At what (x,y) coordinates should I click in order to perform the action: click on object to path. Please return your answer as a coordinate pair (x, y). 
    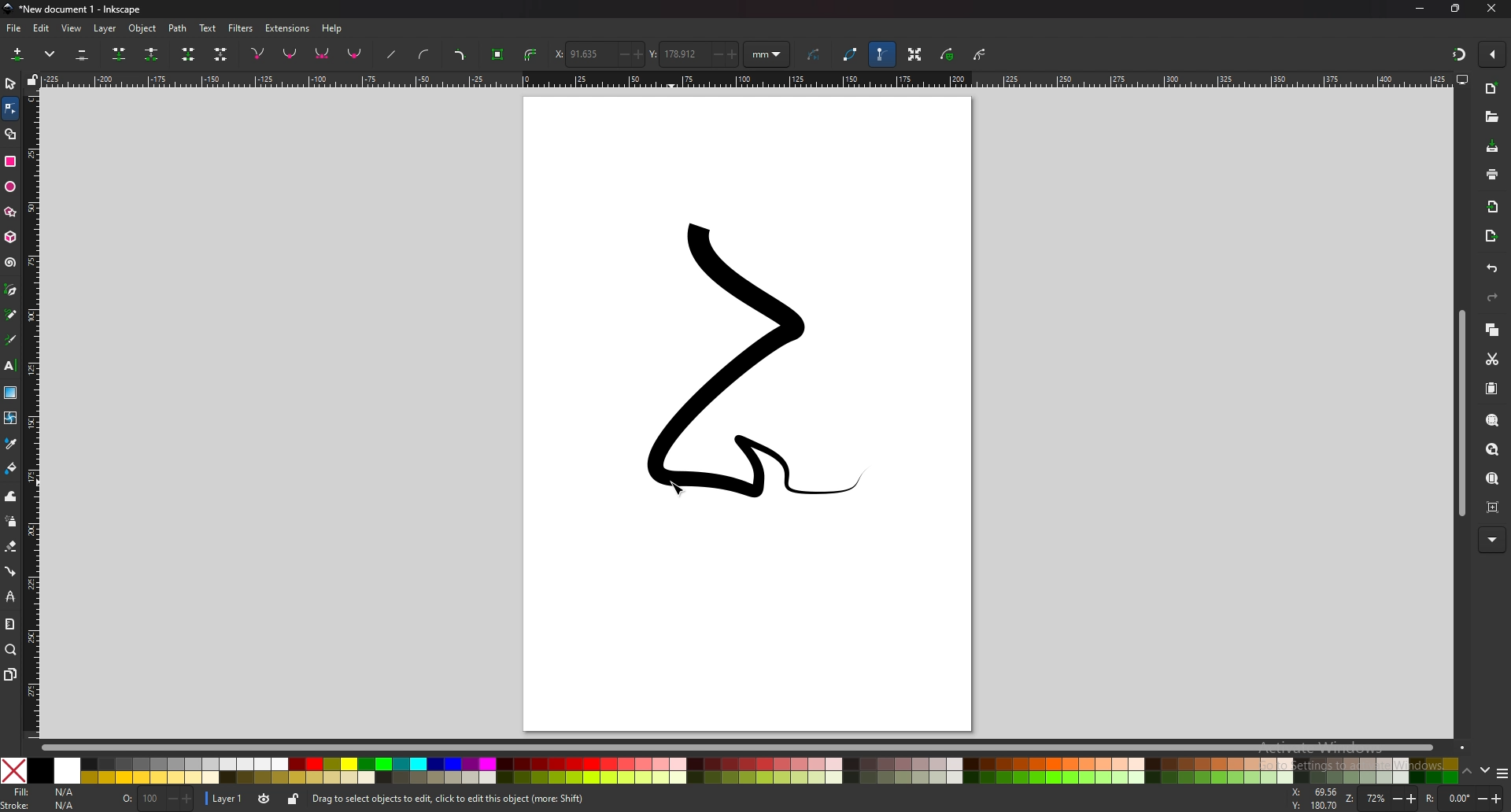
    Looking at the image, I should click on (498, 55).